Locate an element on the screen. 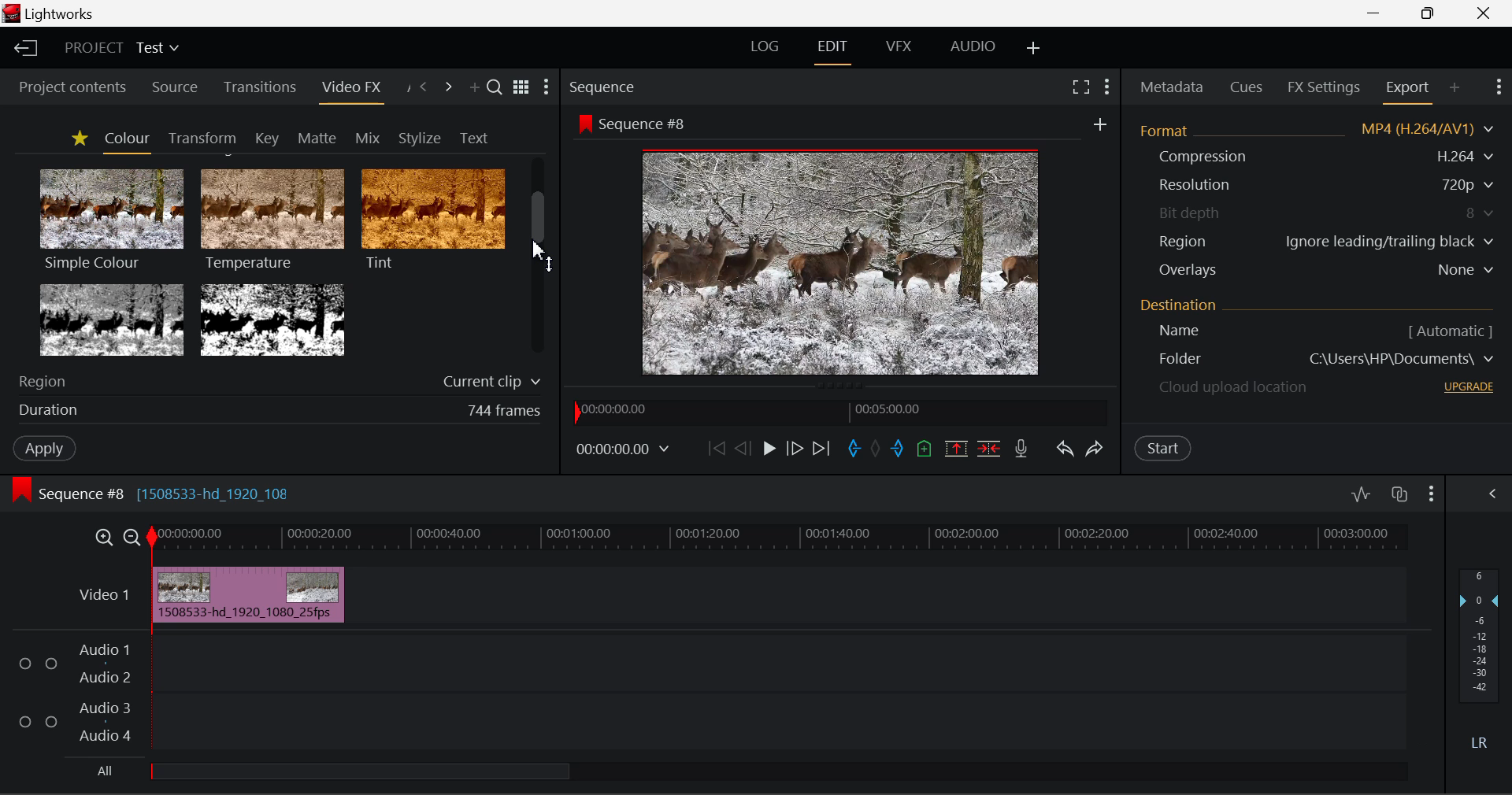 The image size is (1512, 795). Text is located at coordinates (471, 137).